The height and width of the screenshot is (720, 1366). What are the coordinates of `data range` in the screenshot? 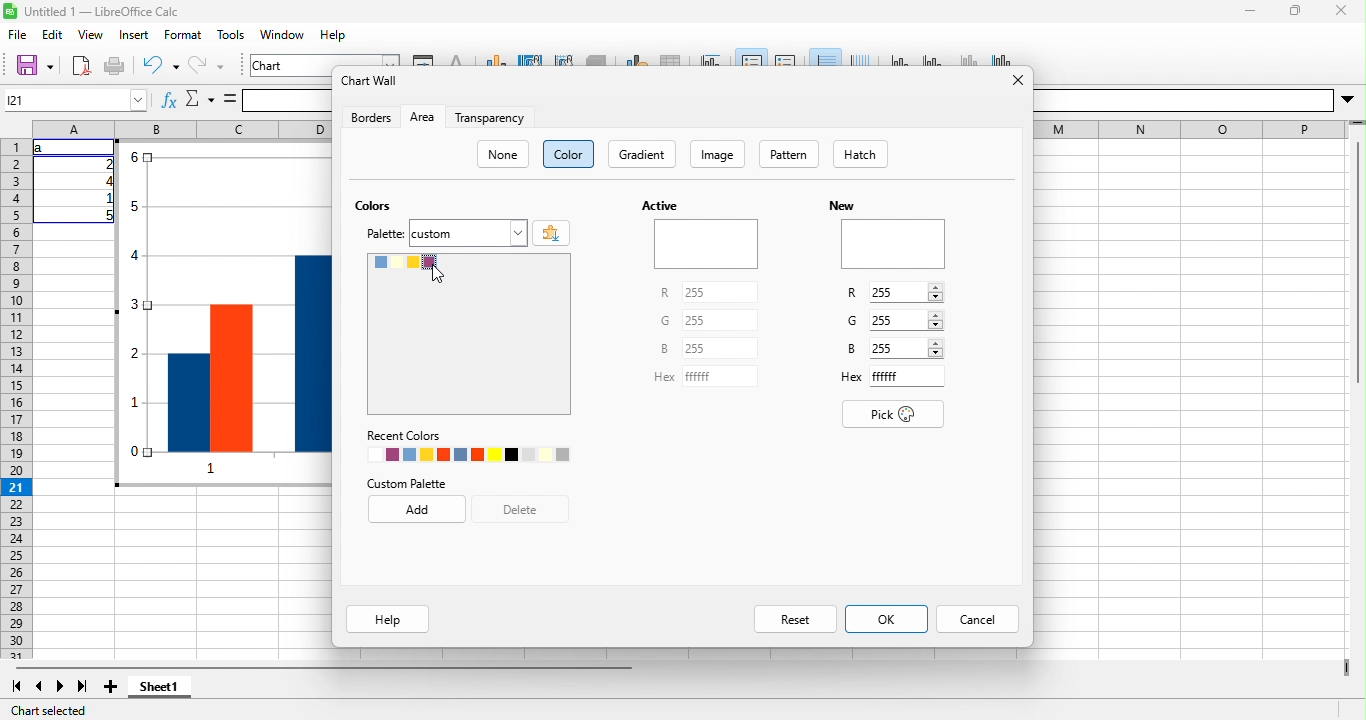 It's located at (636, 59).